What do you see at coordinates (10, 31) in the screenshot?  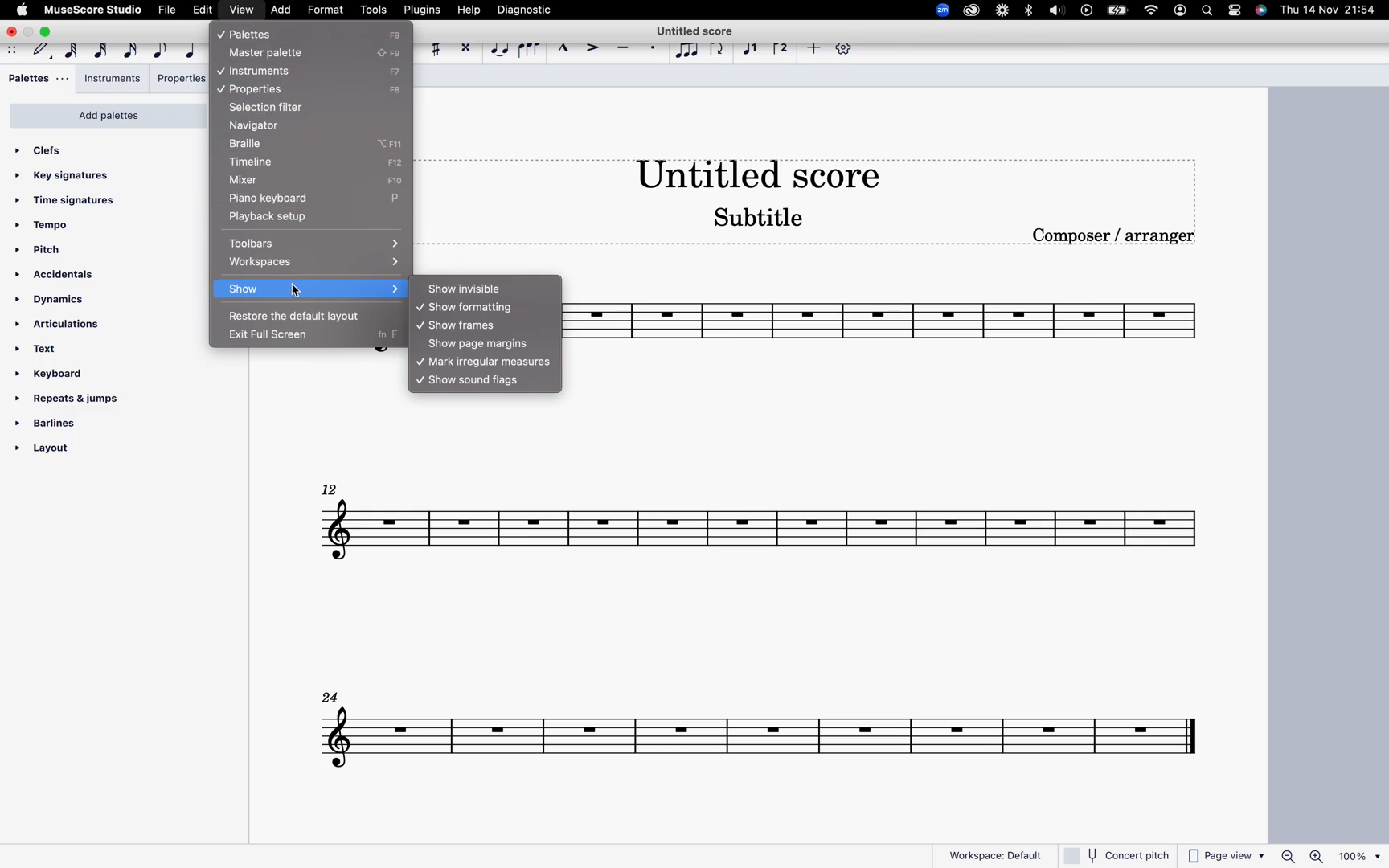 I see `close` at bounding box center [10, 31].